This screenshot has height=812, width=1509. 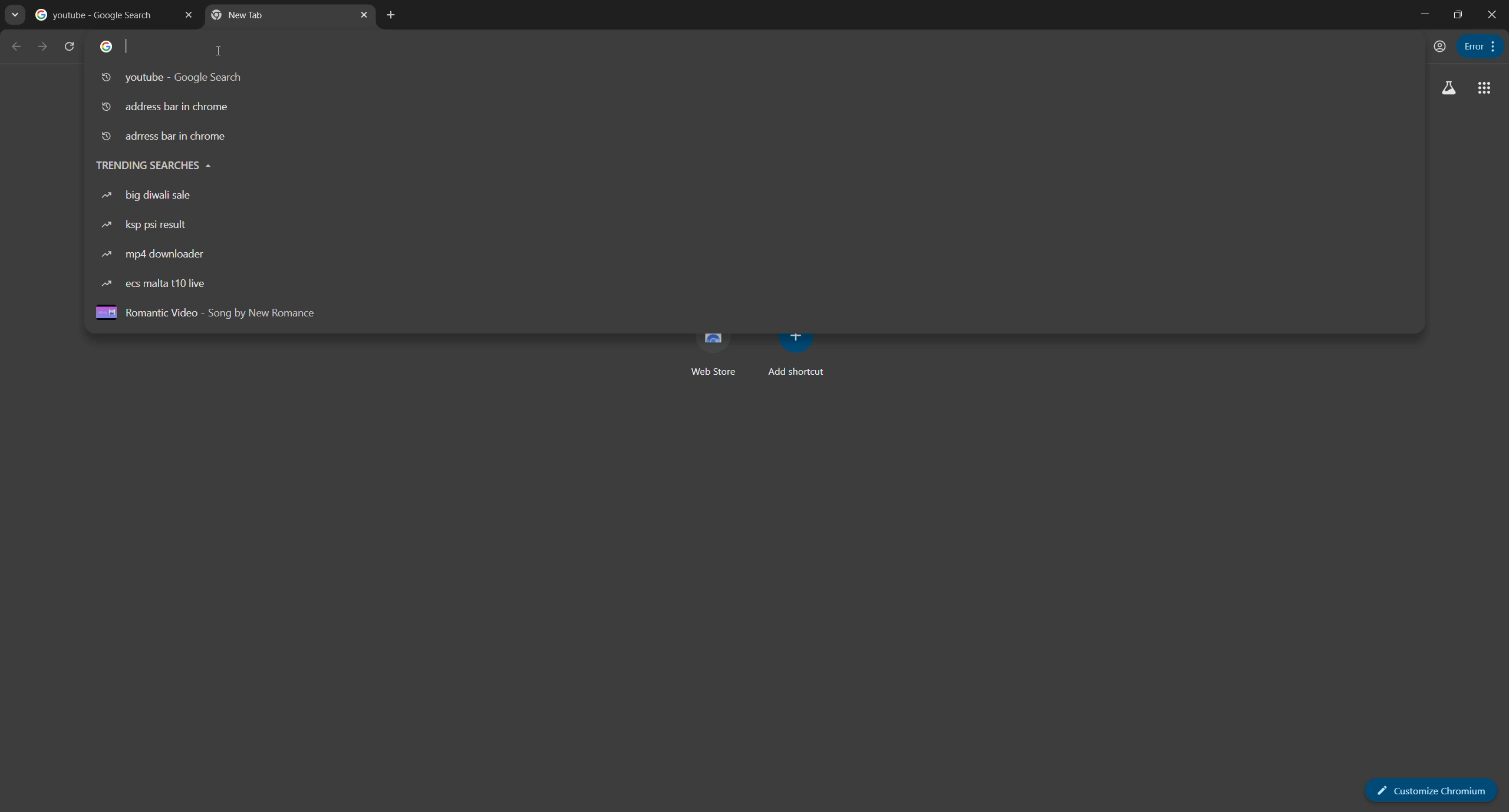 What do you see at coordinates (71, 46) in the screenshot?
I see `reload` at bounding box center [71, 46].